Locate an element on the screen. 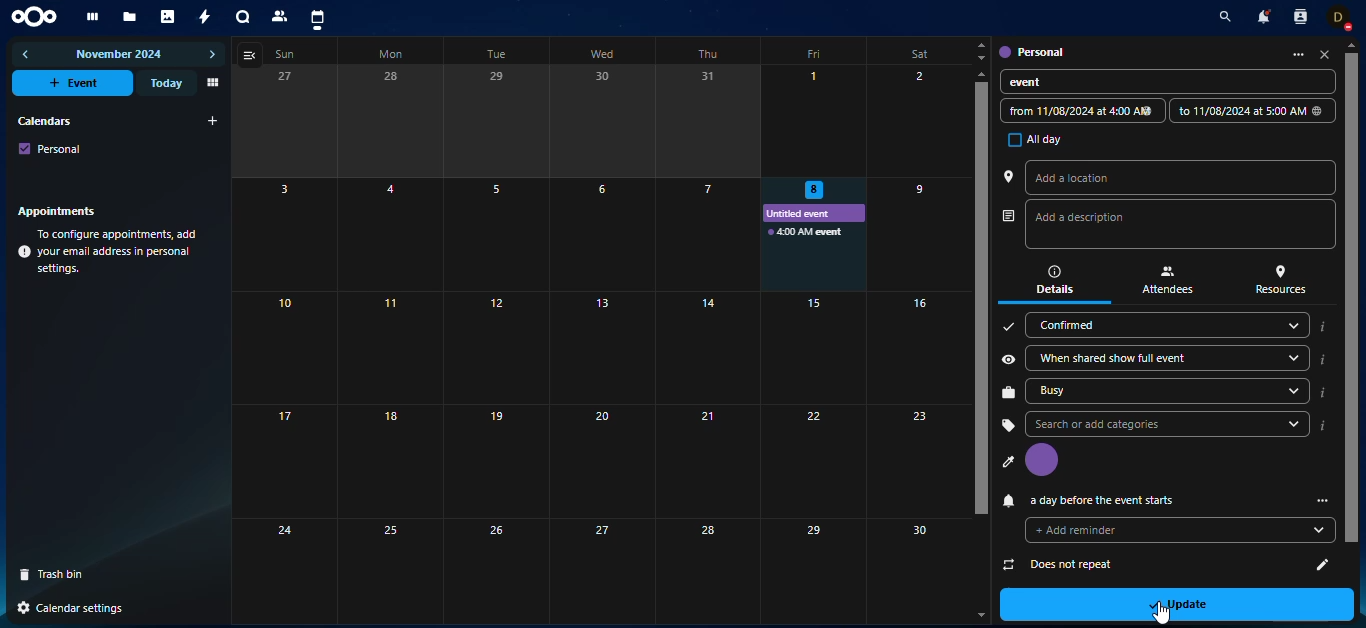 The width and height of the screenshot is (1366, 628). 30 is located at coordinates (914, 560).